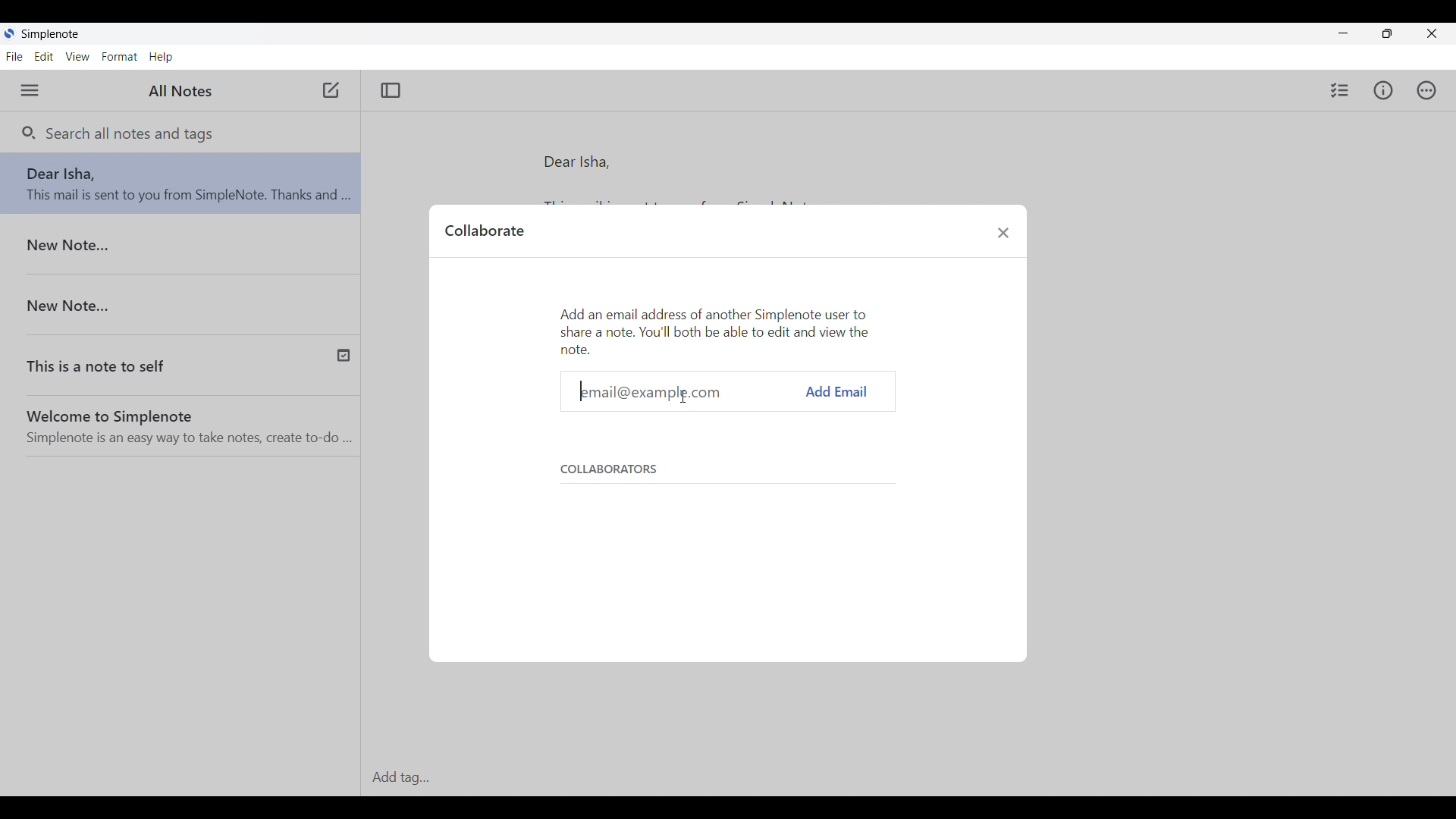 This screenshot has width=1456, height=819. I want to click on Note-Dear Disha, so click(180, 189).